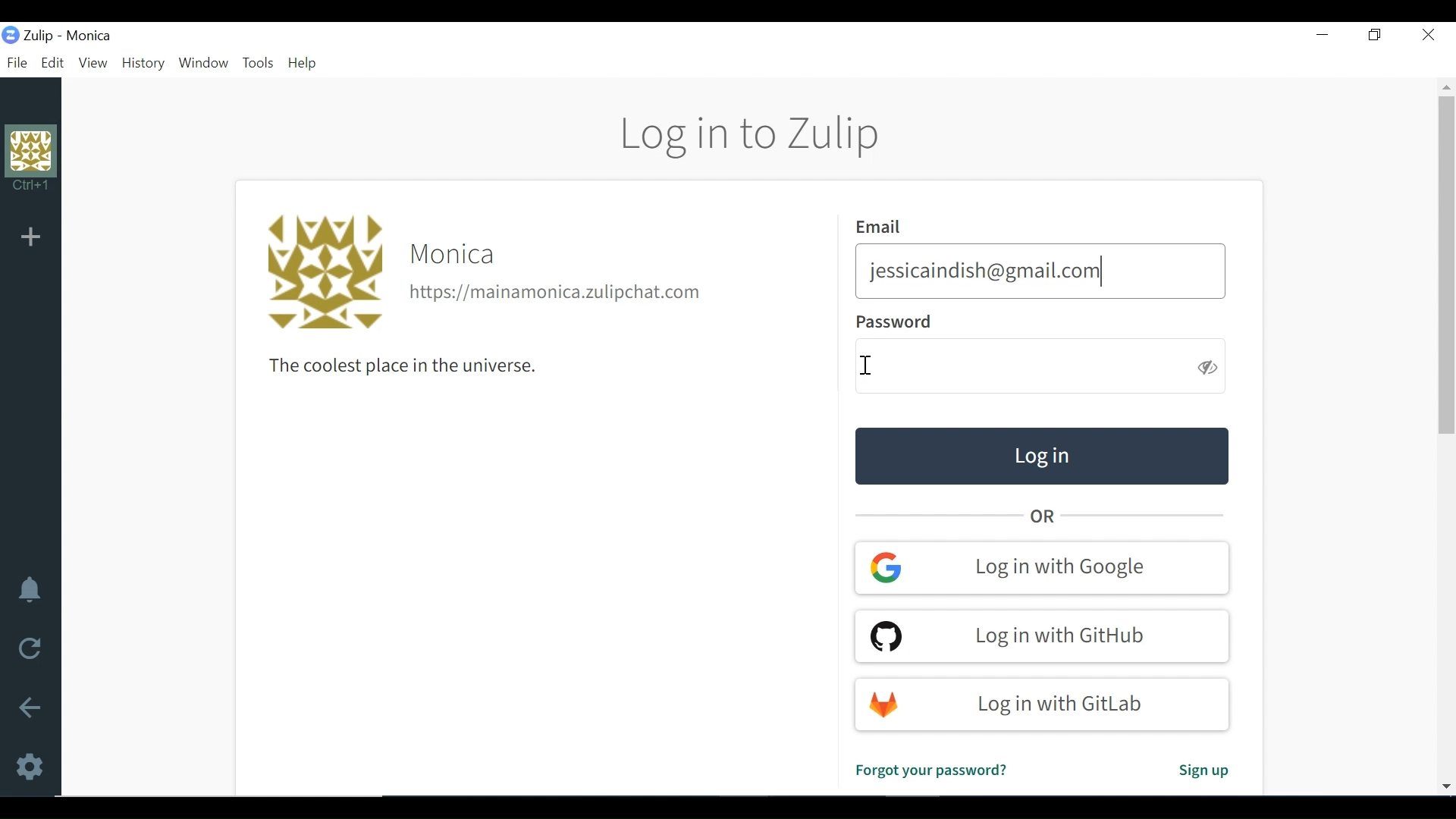  What do you see at coordinates (31, 163) in the screenshot?
I see `Profile` at bounding box center [31, 163].